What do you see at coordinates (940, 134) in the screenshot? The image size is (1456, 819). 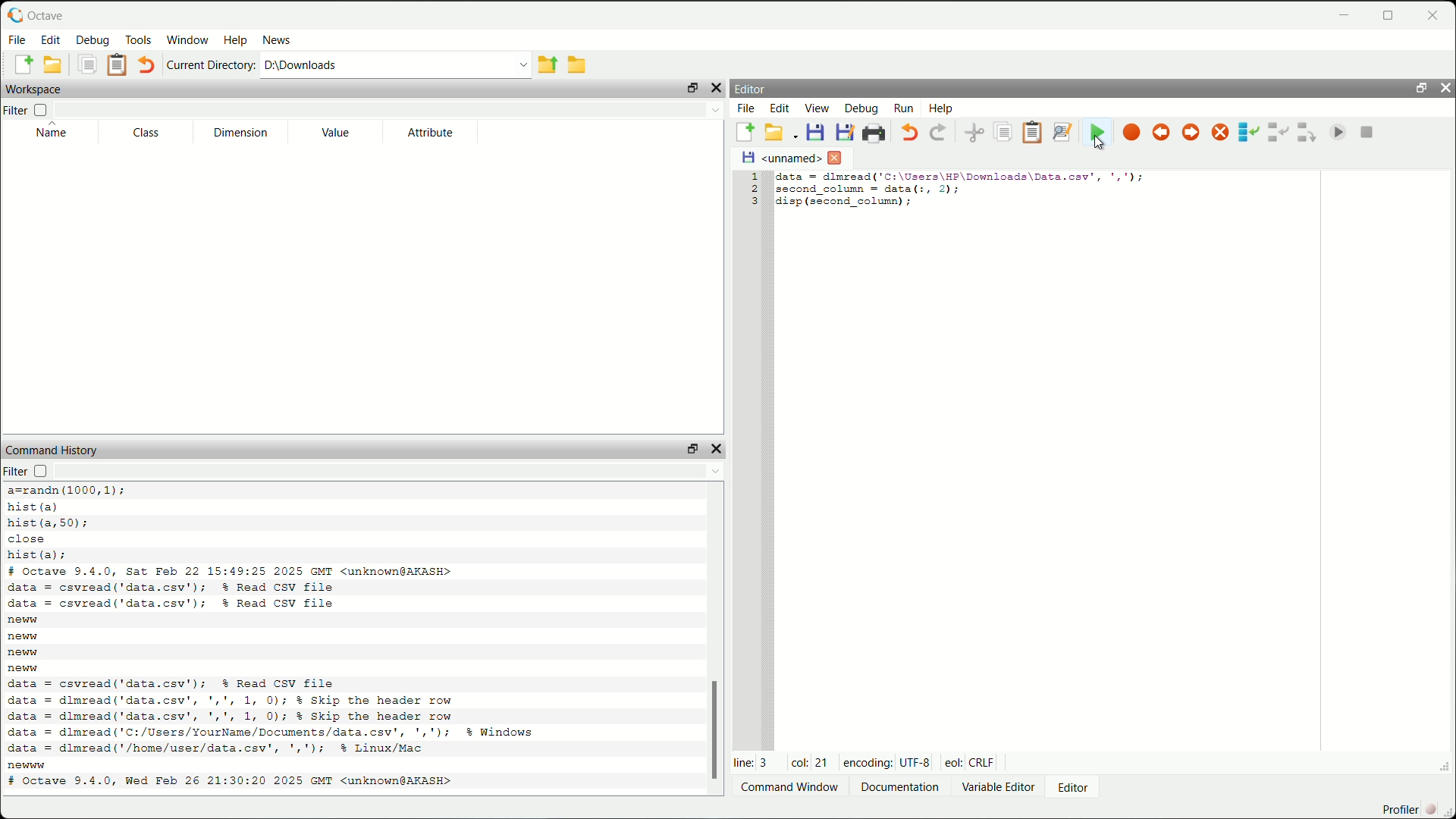 I see `redo` at bounding box center [940, 134].